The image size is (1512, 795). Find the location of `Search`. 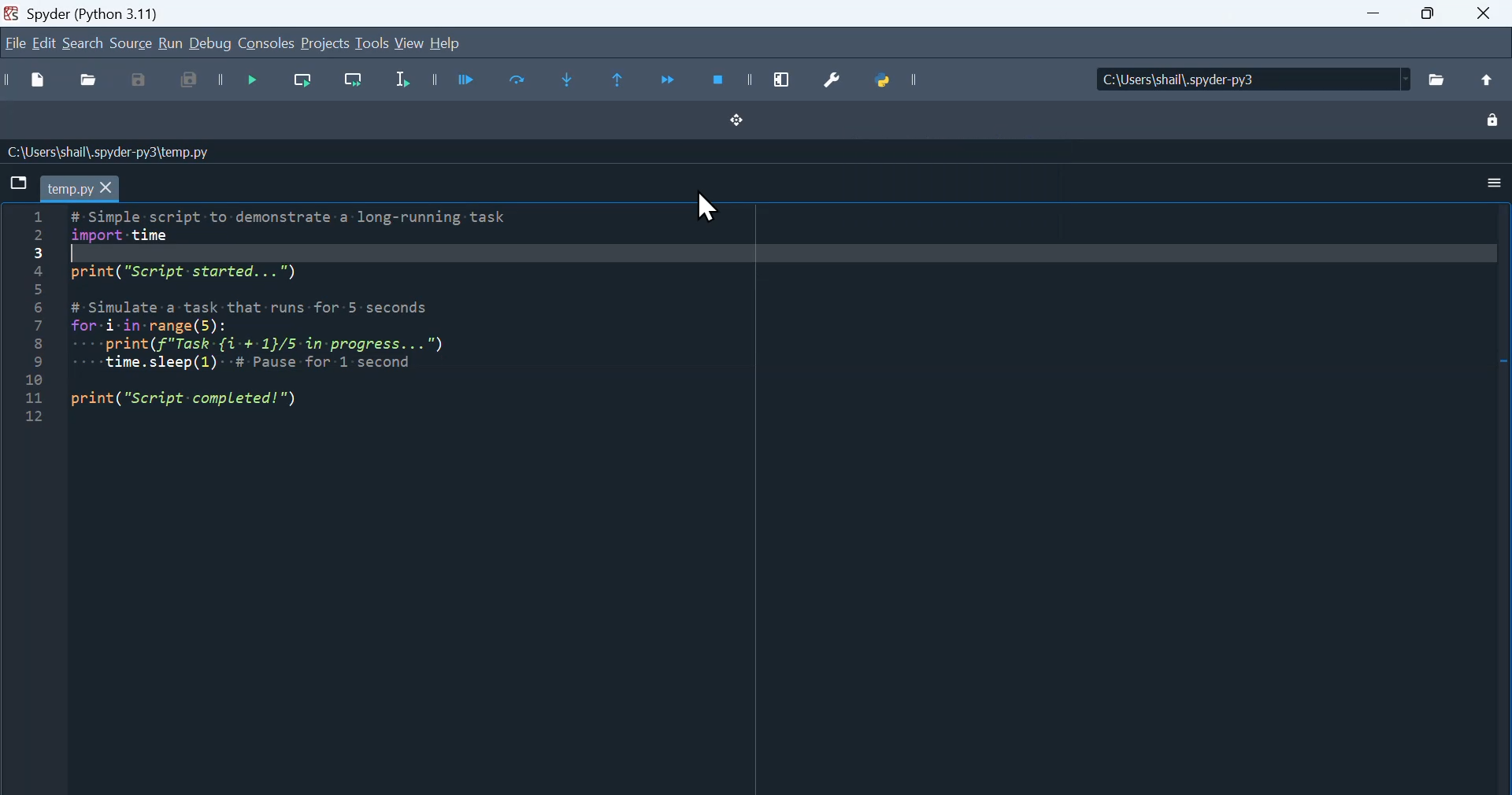

Search is located at coordinates (83, 45).